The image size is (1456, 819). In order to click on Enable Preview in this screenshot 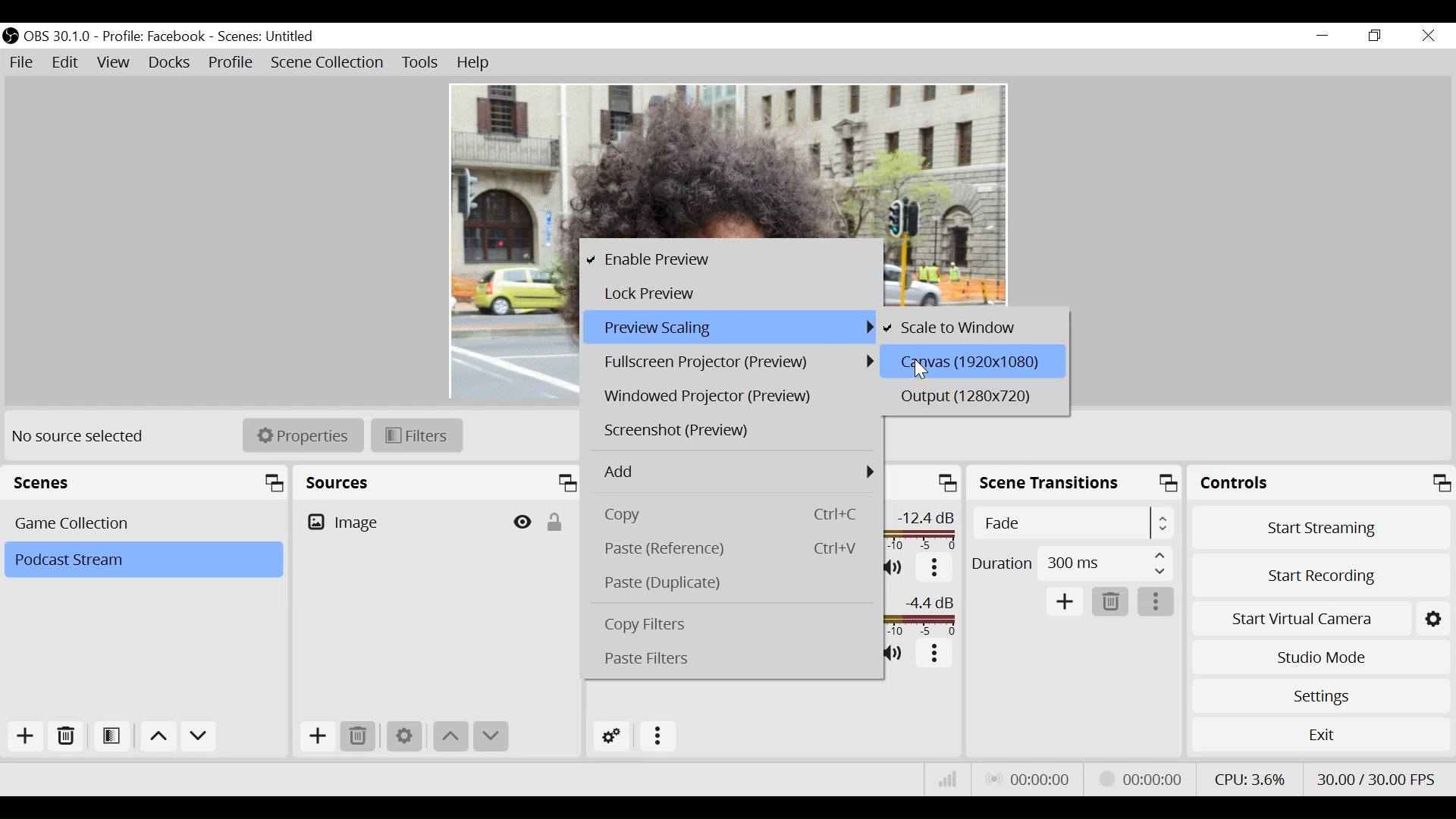, I will do `click(726, 259)`.